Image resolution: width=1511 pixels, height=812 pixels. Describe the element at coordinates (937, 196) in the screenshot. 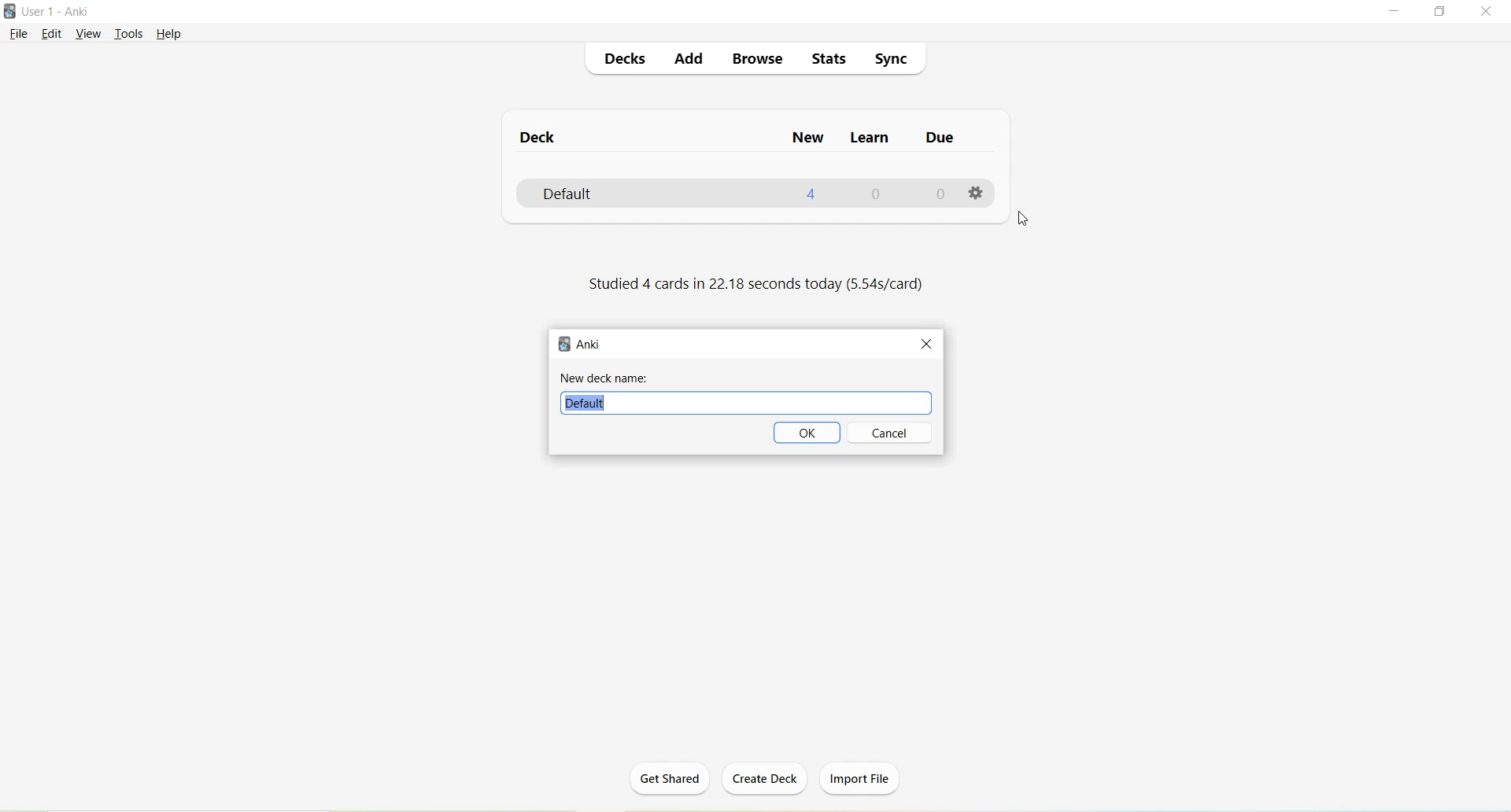

I see `0` at that location.